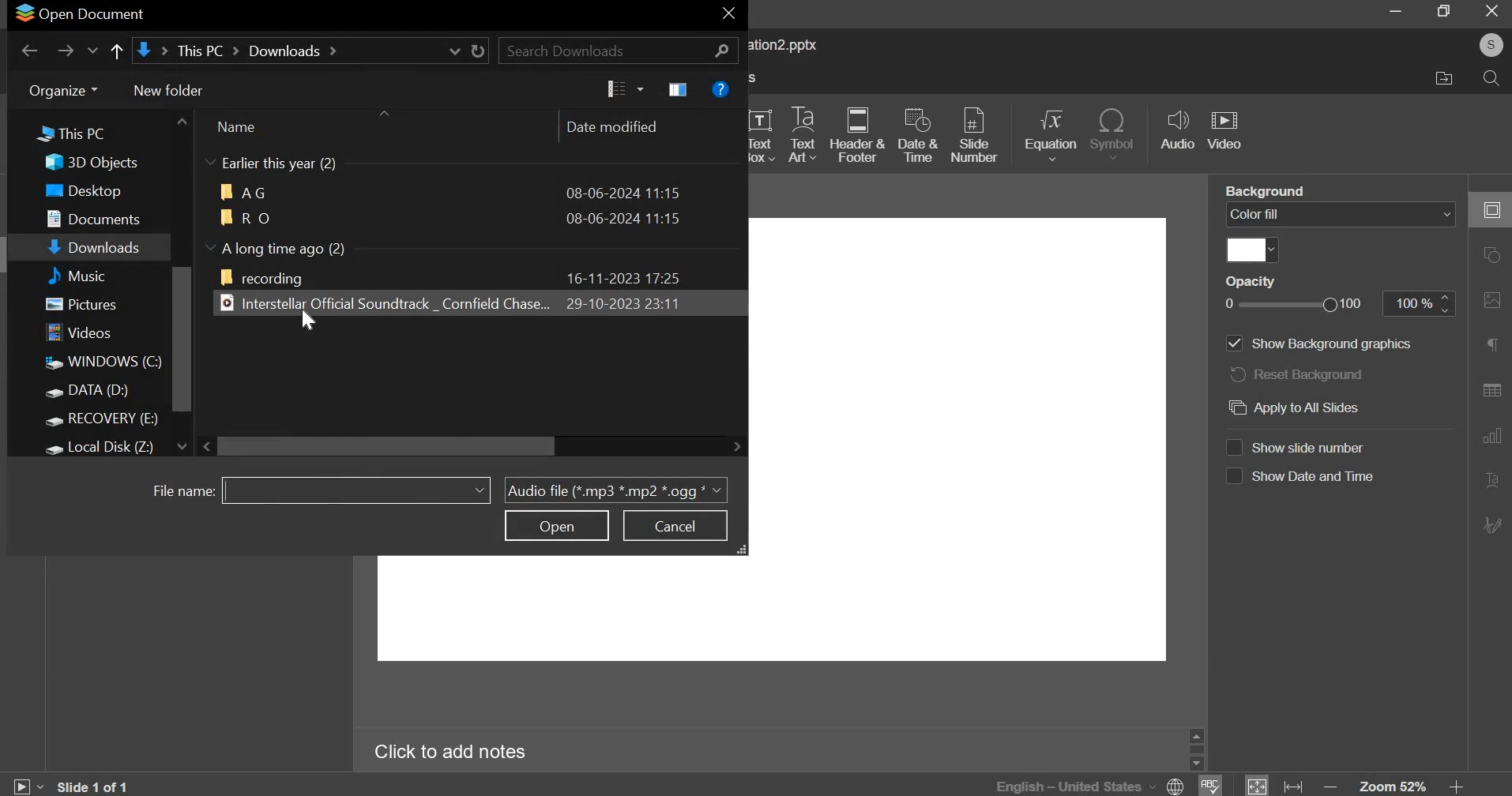  What do you see at coordinates (244, 216) in the screenshot?
I see `R O` at bounding box center [244, 216].